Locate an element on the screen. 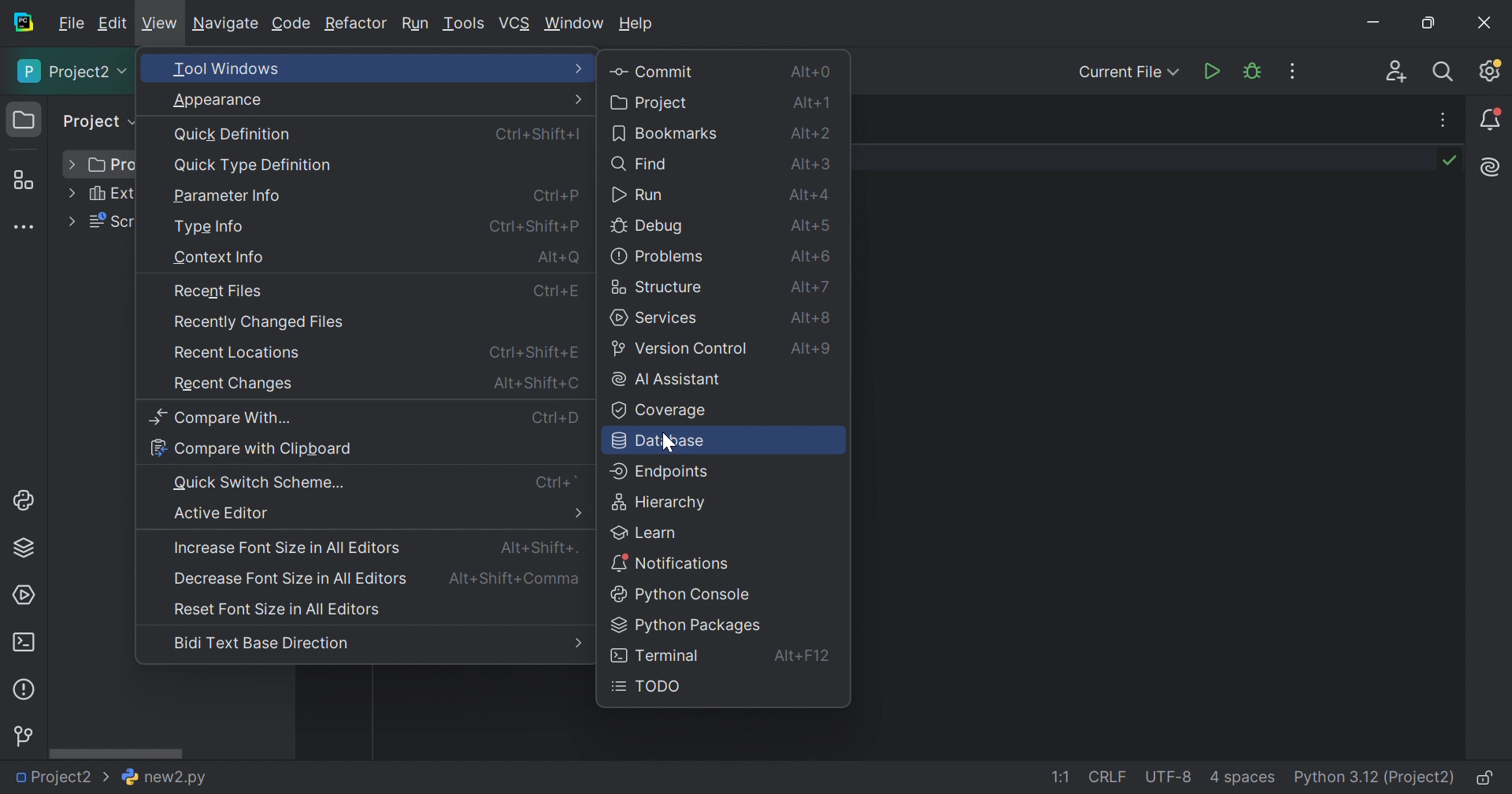 The image size is (1512, 794). Notifications is located at coordinates (673, 563).